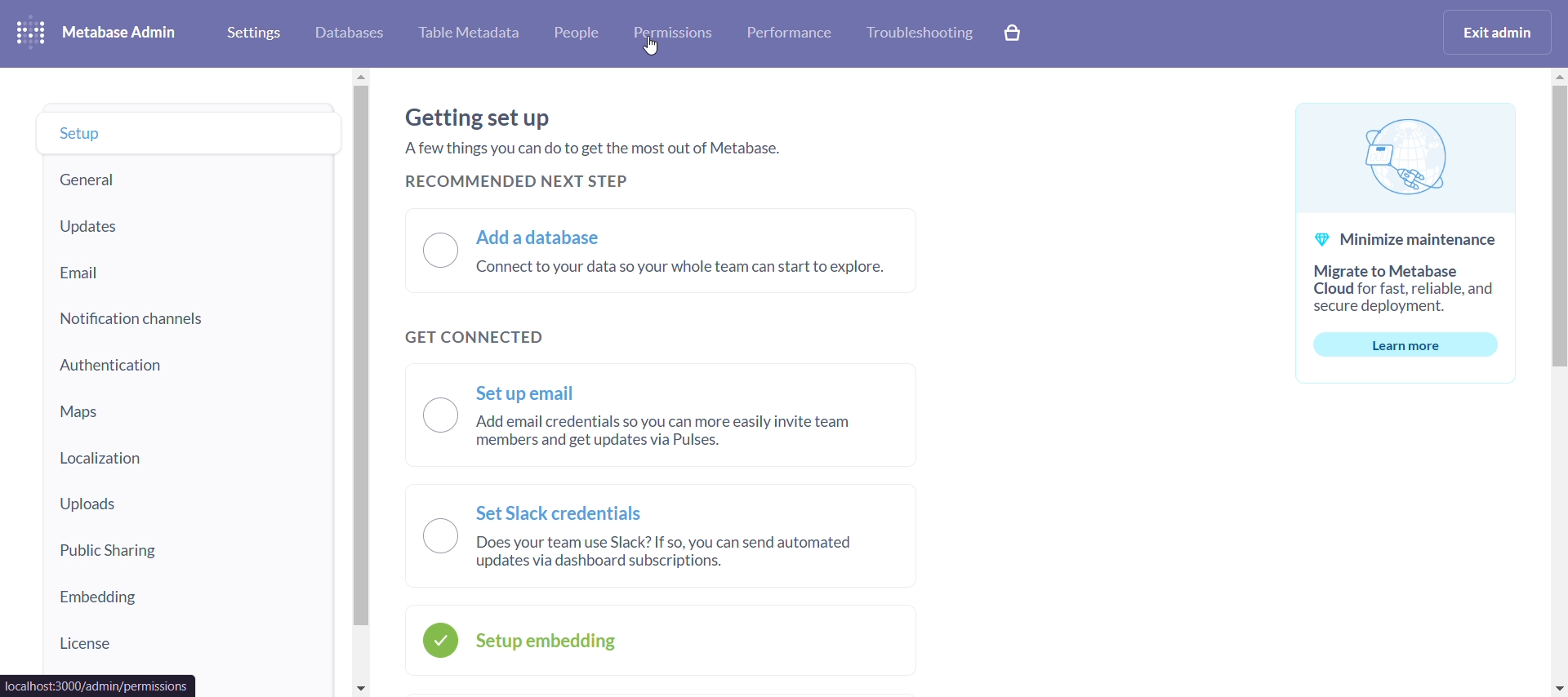  What do you see at coordinates (604, 150) in the screenshot?
I see `a few things you can do to get the most out of metabase.` at bounding box center [604, 150].